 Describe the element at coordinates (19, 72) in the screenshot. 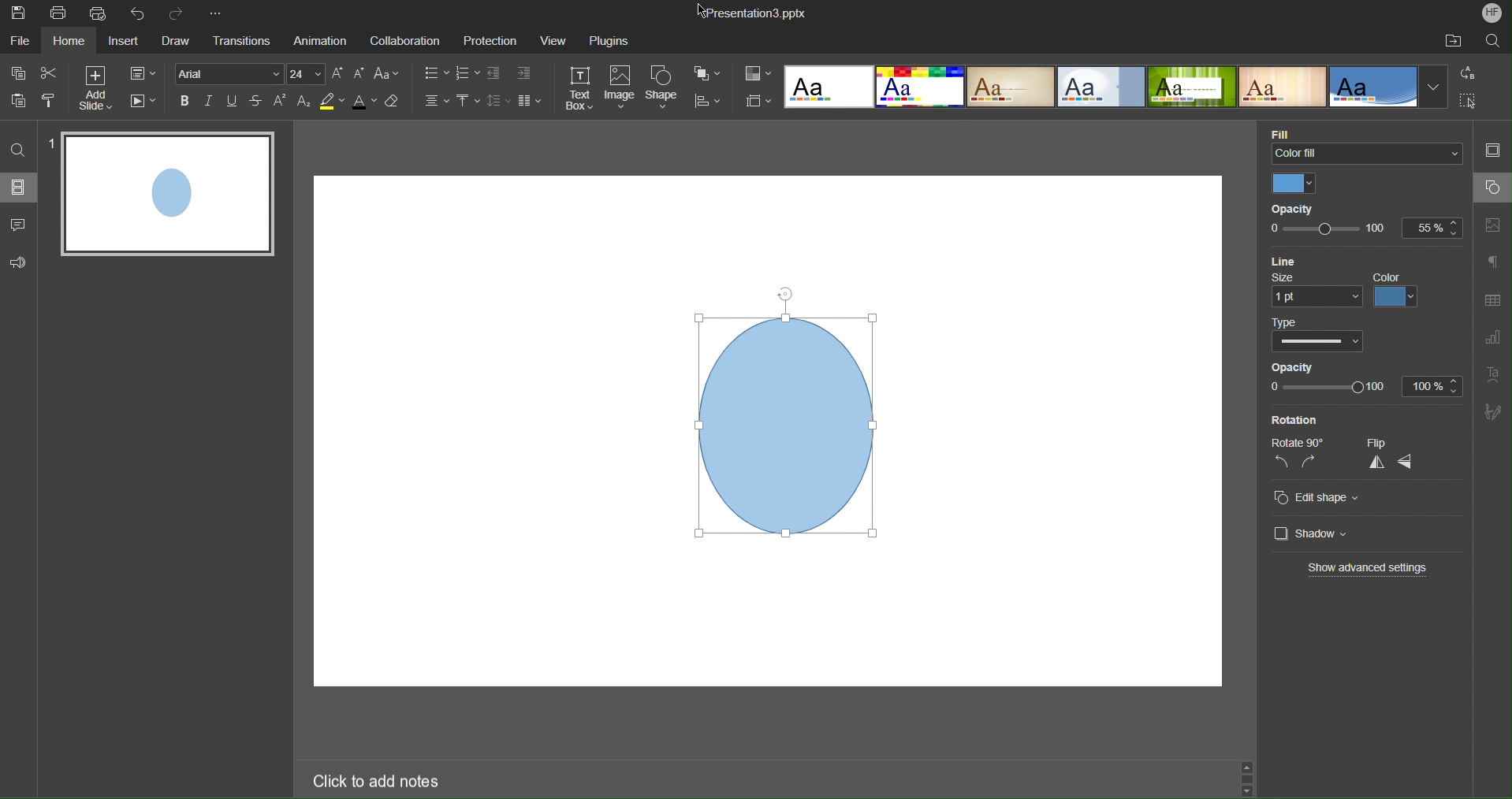

I see `Copy` at that location.